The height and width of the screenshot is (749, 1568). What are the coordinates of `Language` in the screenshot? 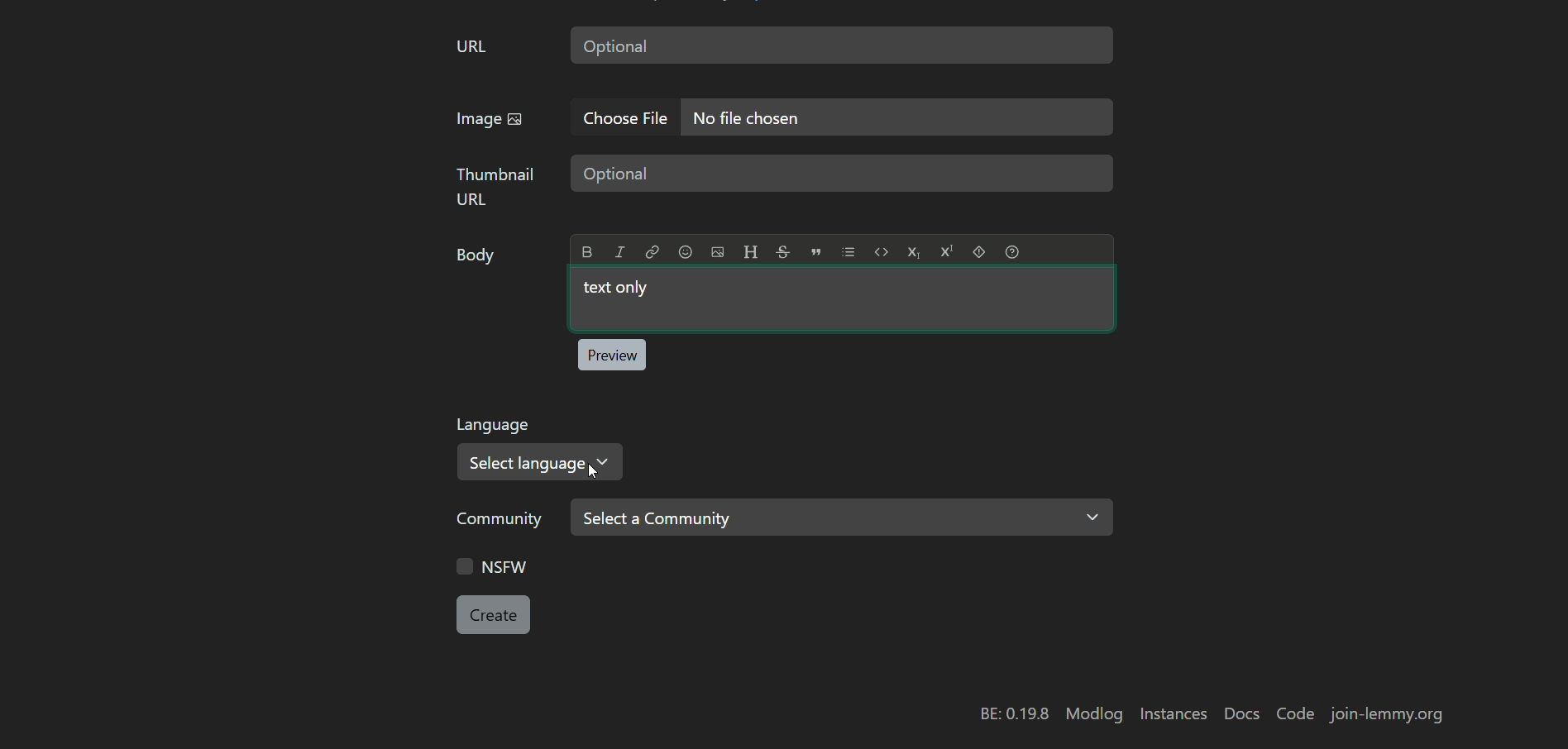 It's located at (495, 427).